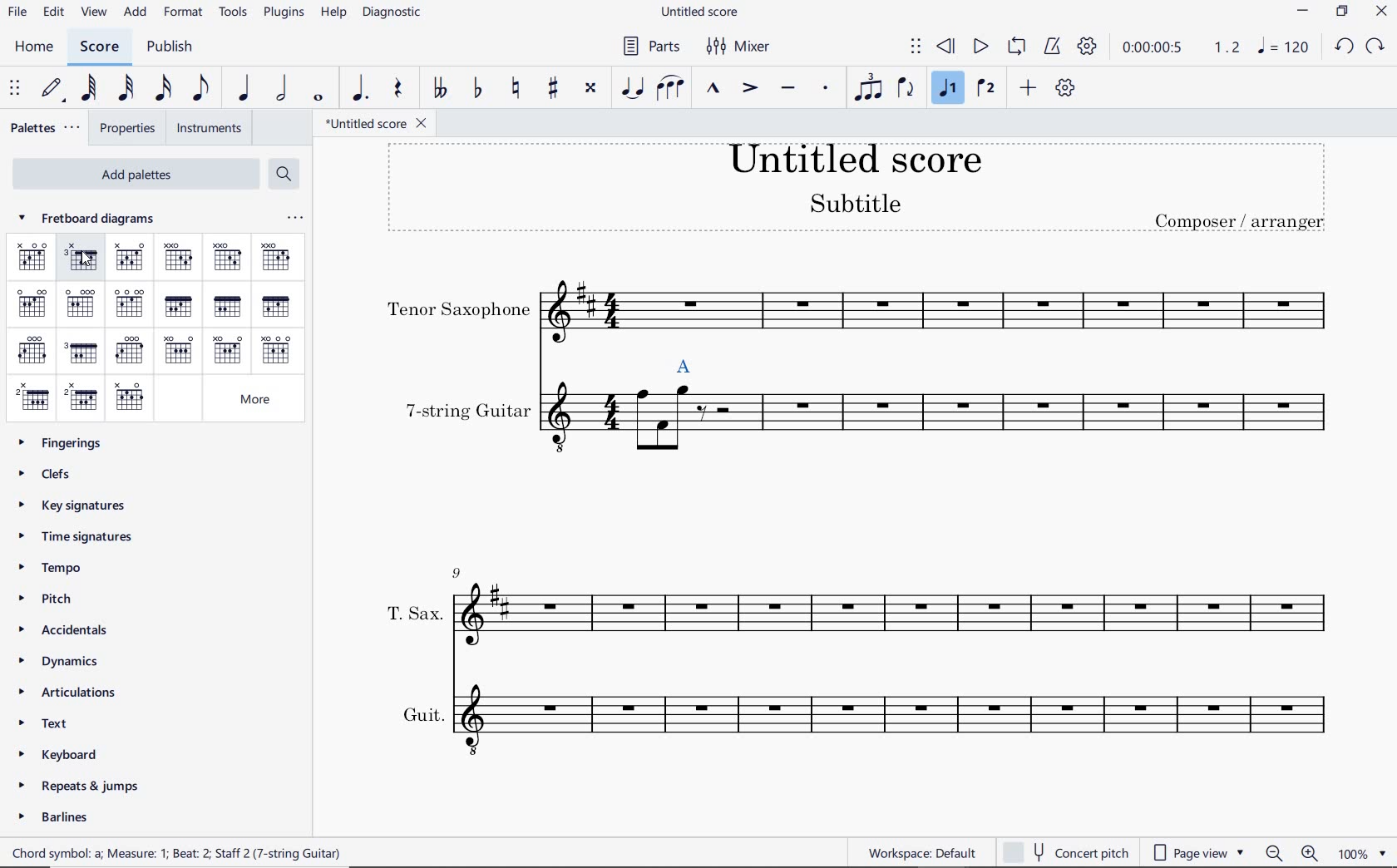 Image resolution: width=1397 pixels, height=868 pixels. What do you see at coordinates (649, 47) in the screenshot?
I see `PARTS` at bounding box center [649, 47].